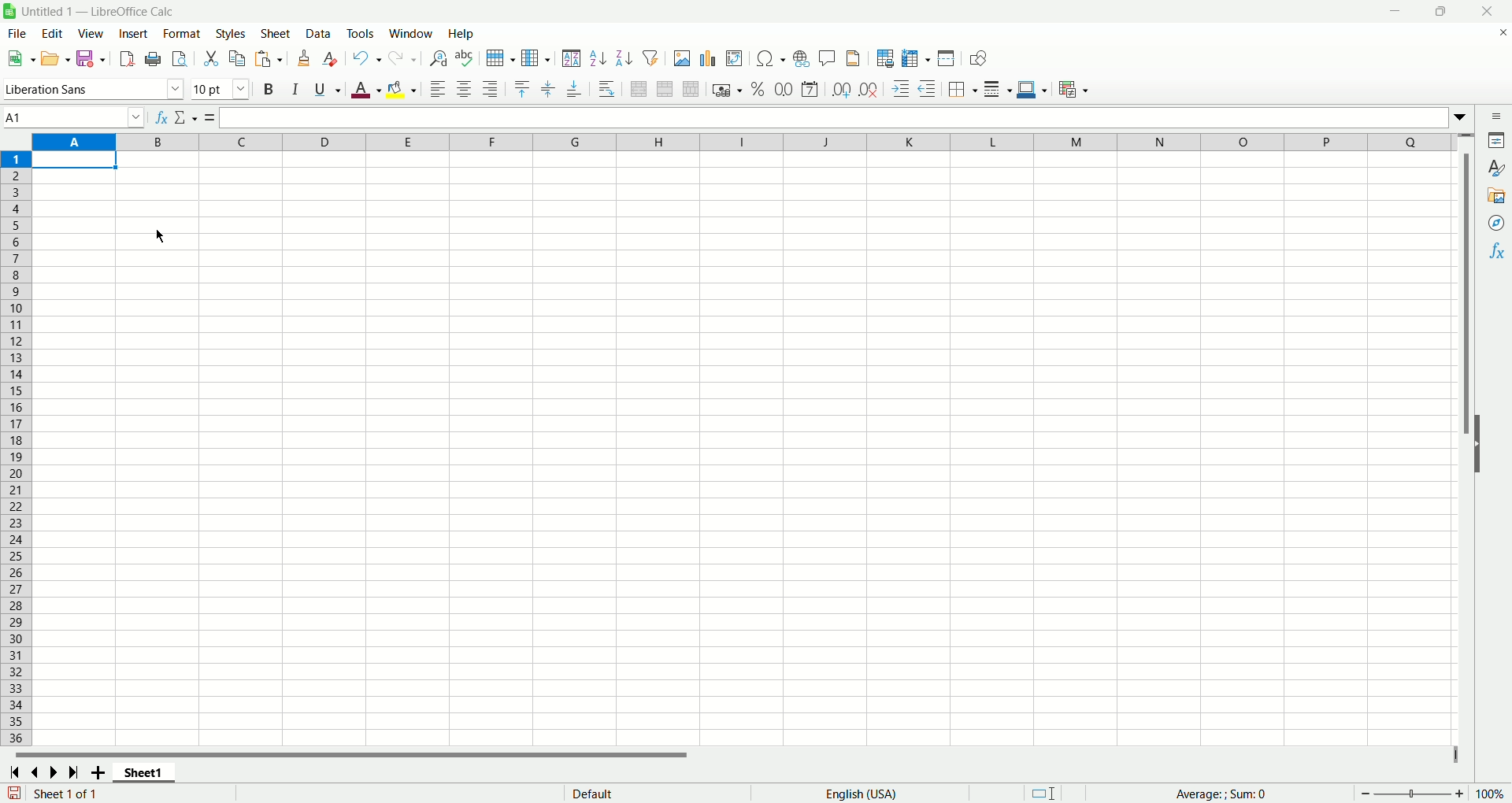 The width and height of the screenshot is (1512, 803). Describe the element at coordinates (578, 88) in the screenshot. I see `align bottom` at that location.